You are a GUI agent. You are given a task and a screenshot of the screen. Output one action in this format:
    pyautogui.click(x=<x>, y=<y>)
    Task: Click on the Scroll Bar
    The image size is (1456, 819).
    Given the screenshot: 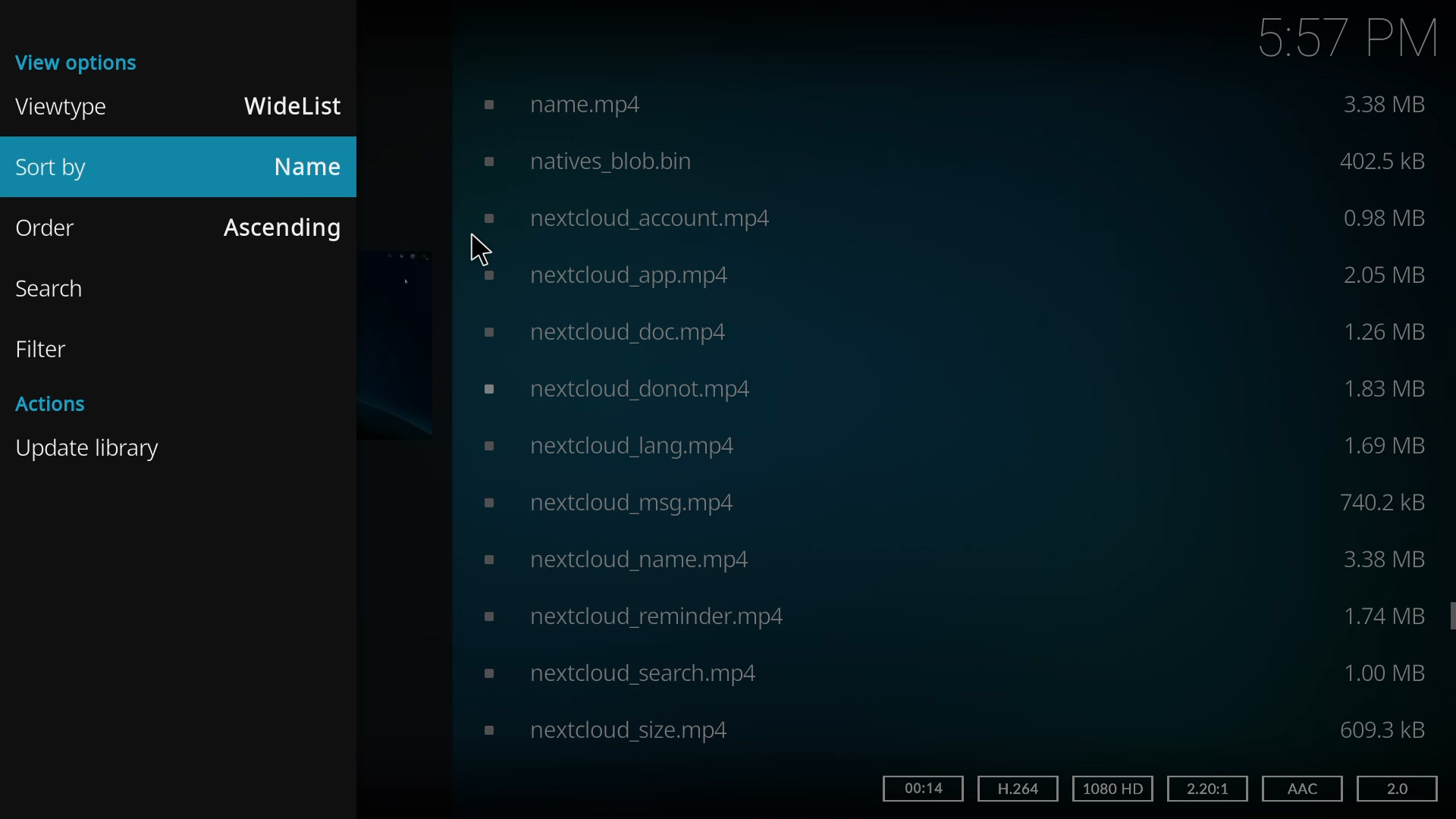 What is the action you would take?
    pyautogui.click(x=1447, y=616)
    